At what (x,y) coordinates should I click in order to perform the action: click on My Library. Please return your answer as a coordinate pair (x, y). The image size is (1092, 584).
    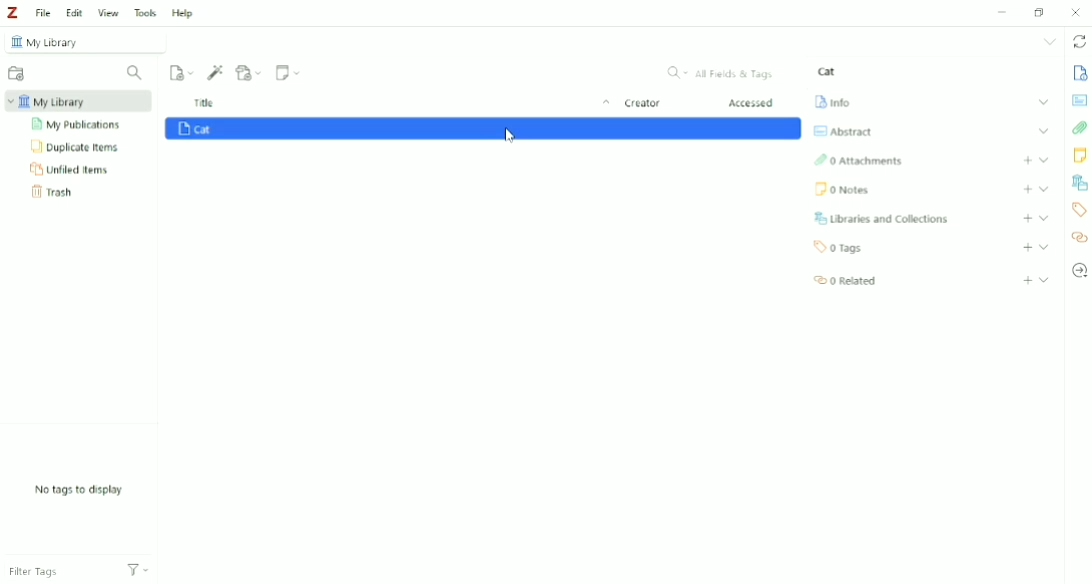
    Looking at the image, I should click on (87, 41).